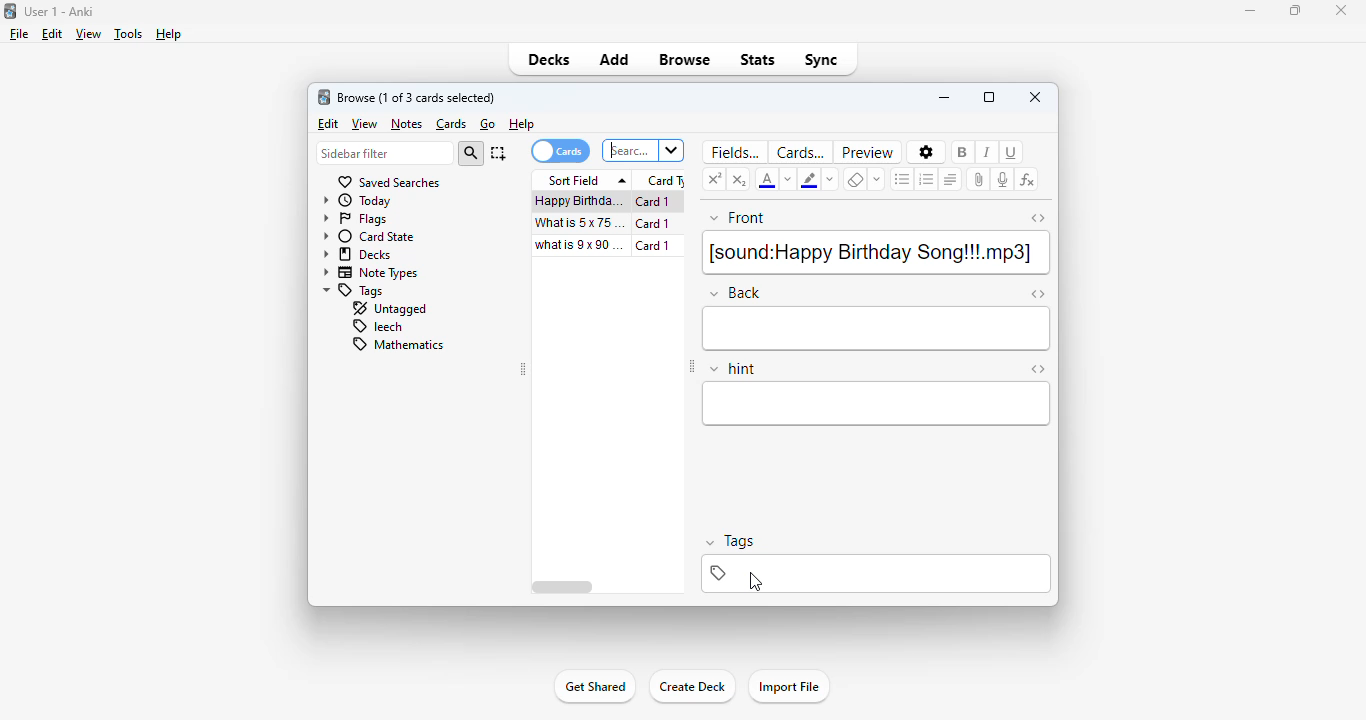 This screenshot has width=1366, height=720. Describe the element at coordinates (790, 687) in the screenshot. I see `import file` at that location.